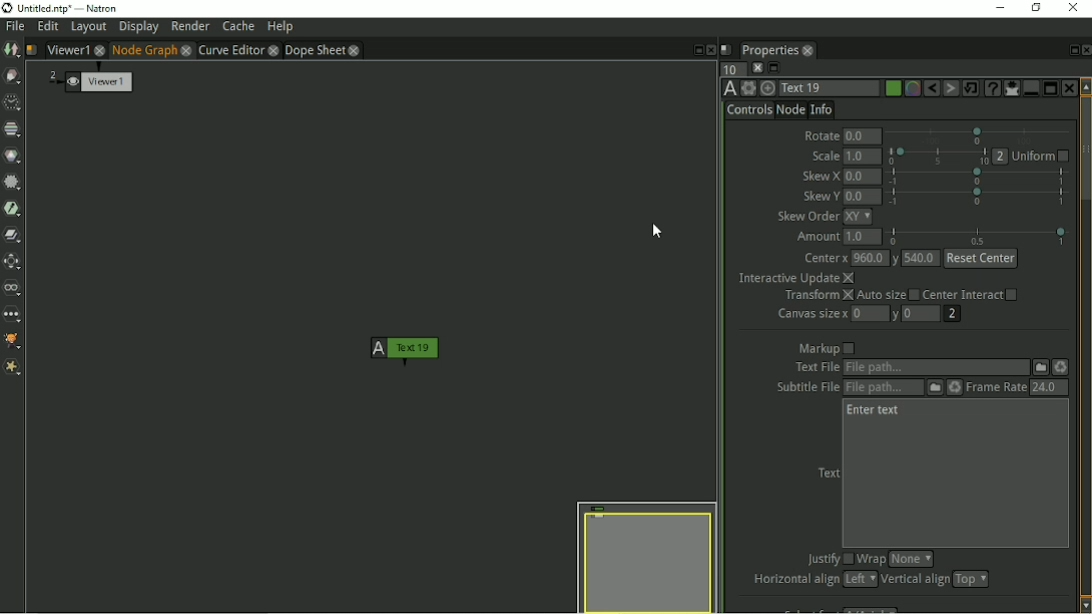  I want to click on Image, so click(11, 50).